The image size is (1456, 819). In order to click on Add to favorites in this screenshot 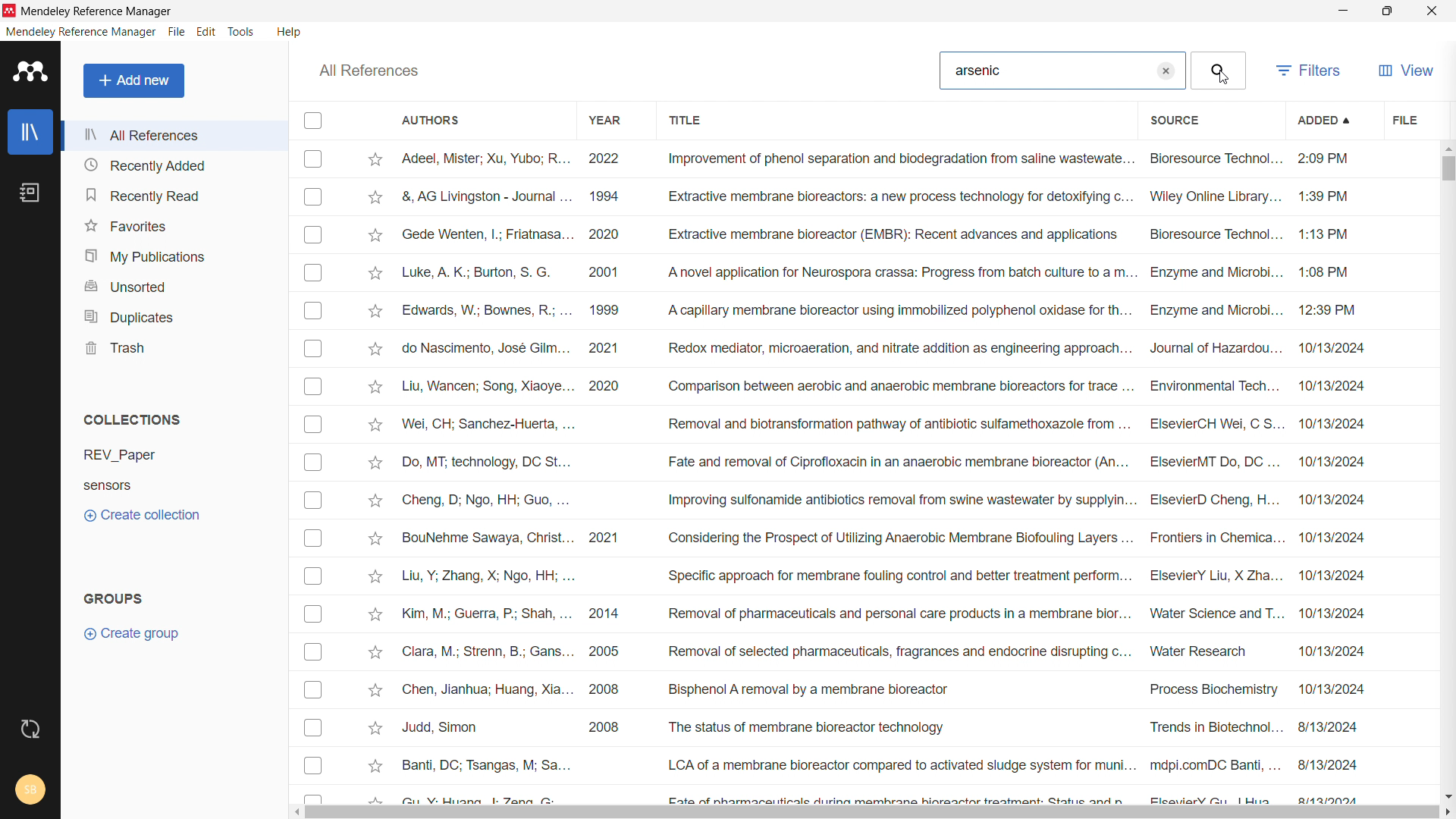, I will do `click(374, 196)`.